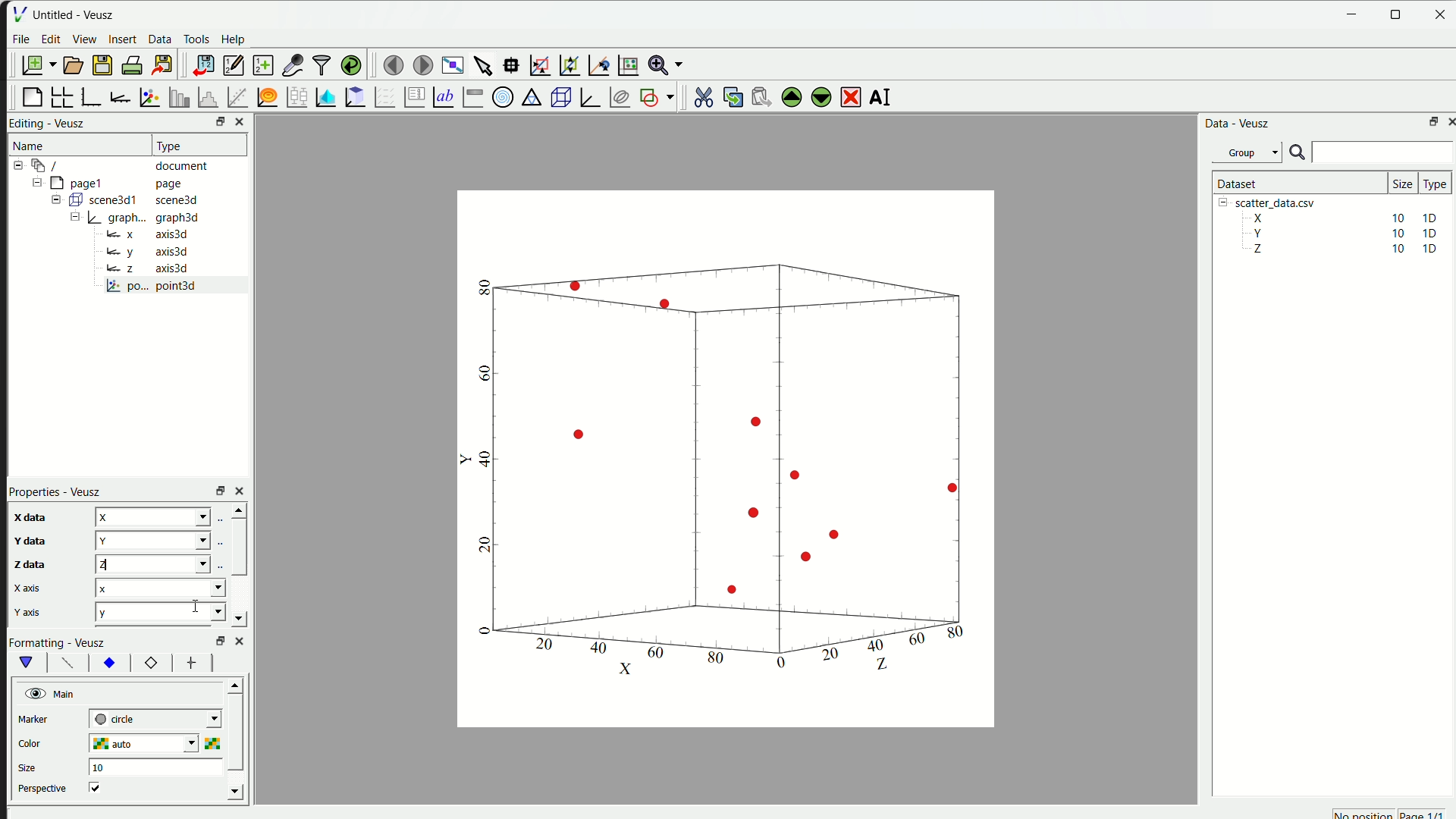 This screenshot has width=1456, height=819. Describe the element at coordinates (420, 64) in the screenshot. I see `move to the next page` at that location.